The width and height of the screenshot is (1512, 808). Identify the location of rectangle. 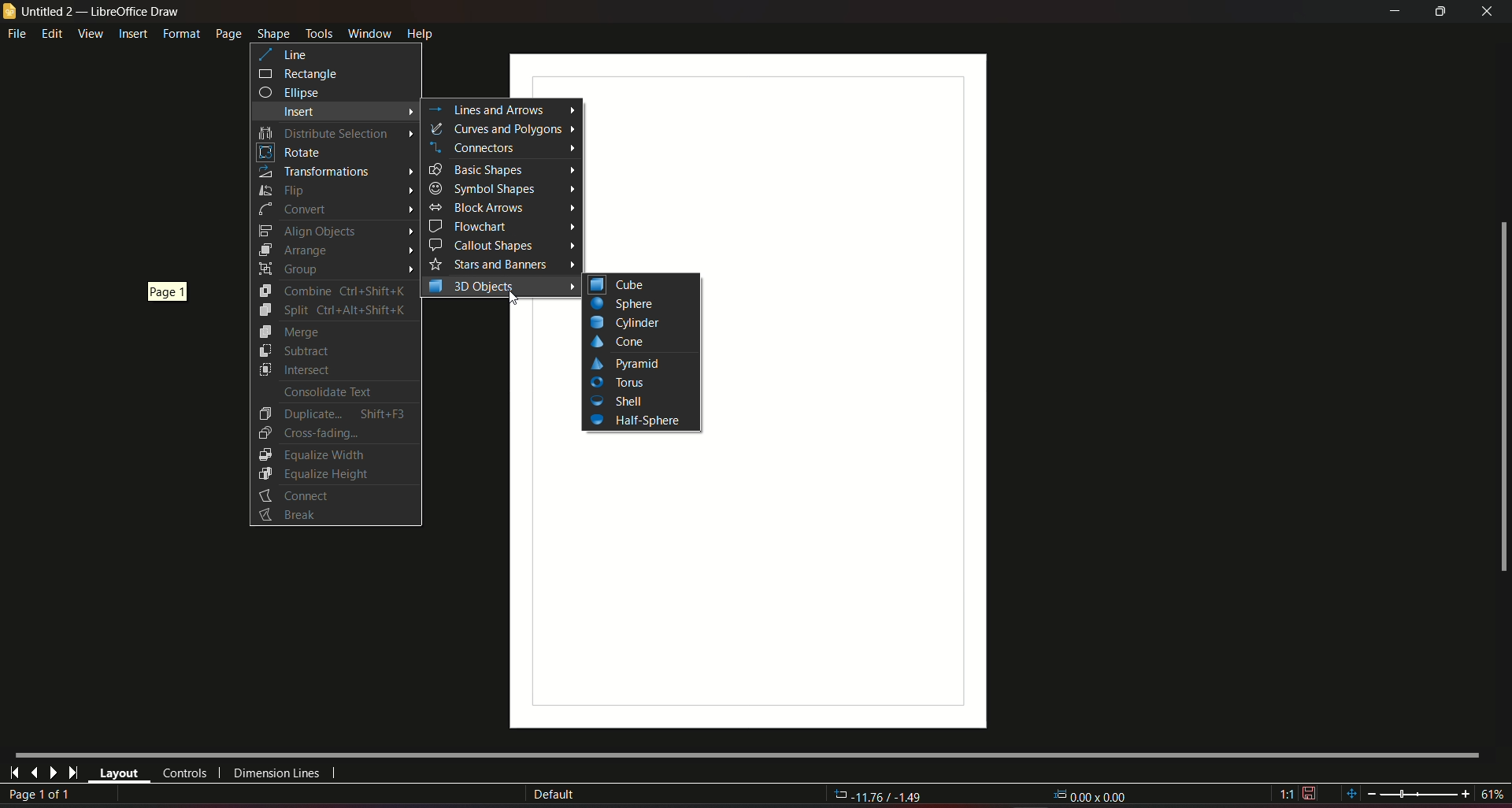
(298, 74).